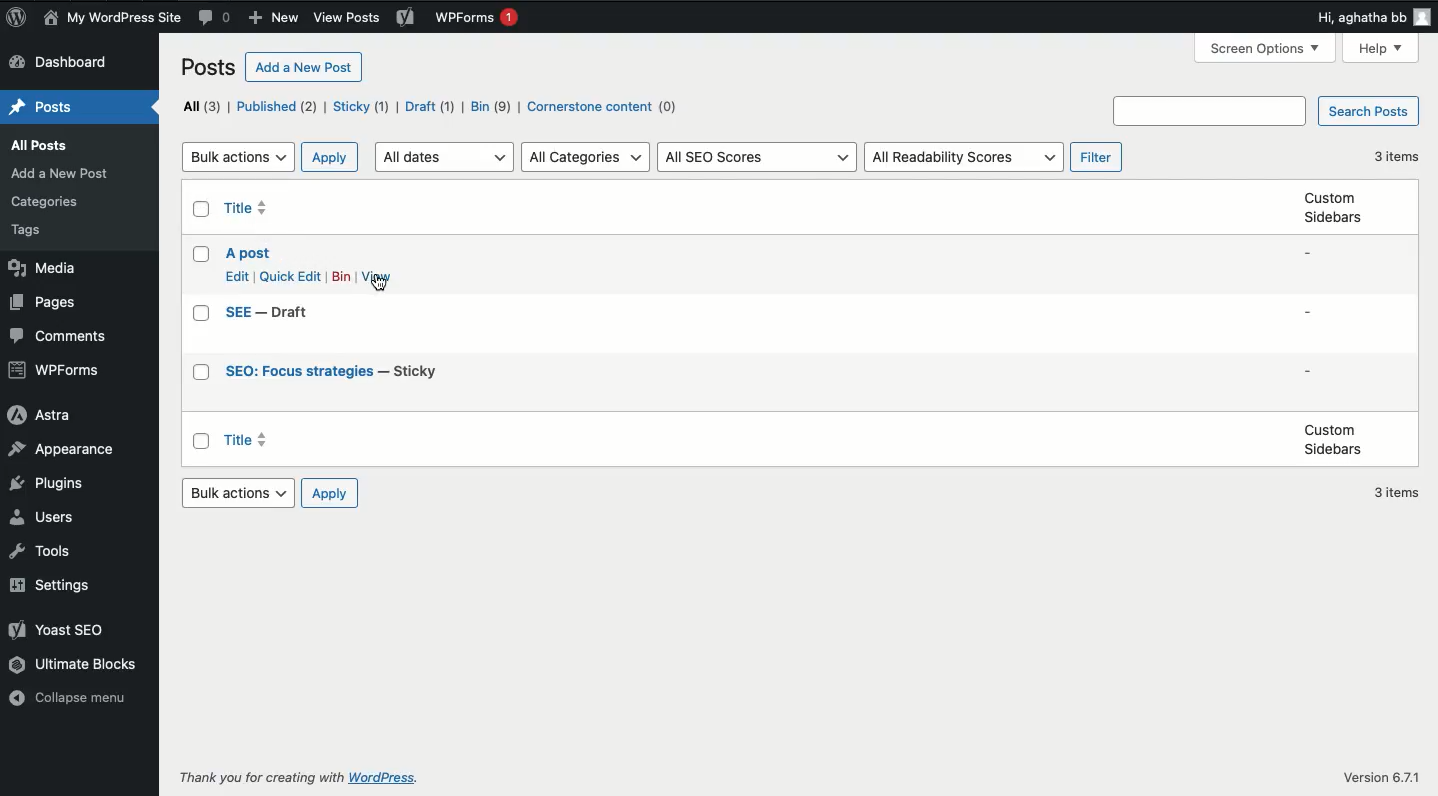 The image size is (1438, 796). Describe the element at coordinates (52, 202) in the screenshot. I see `` at that location.